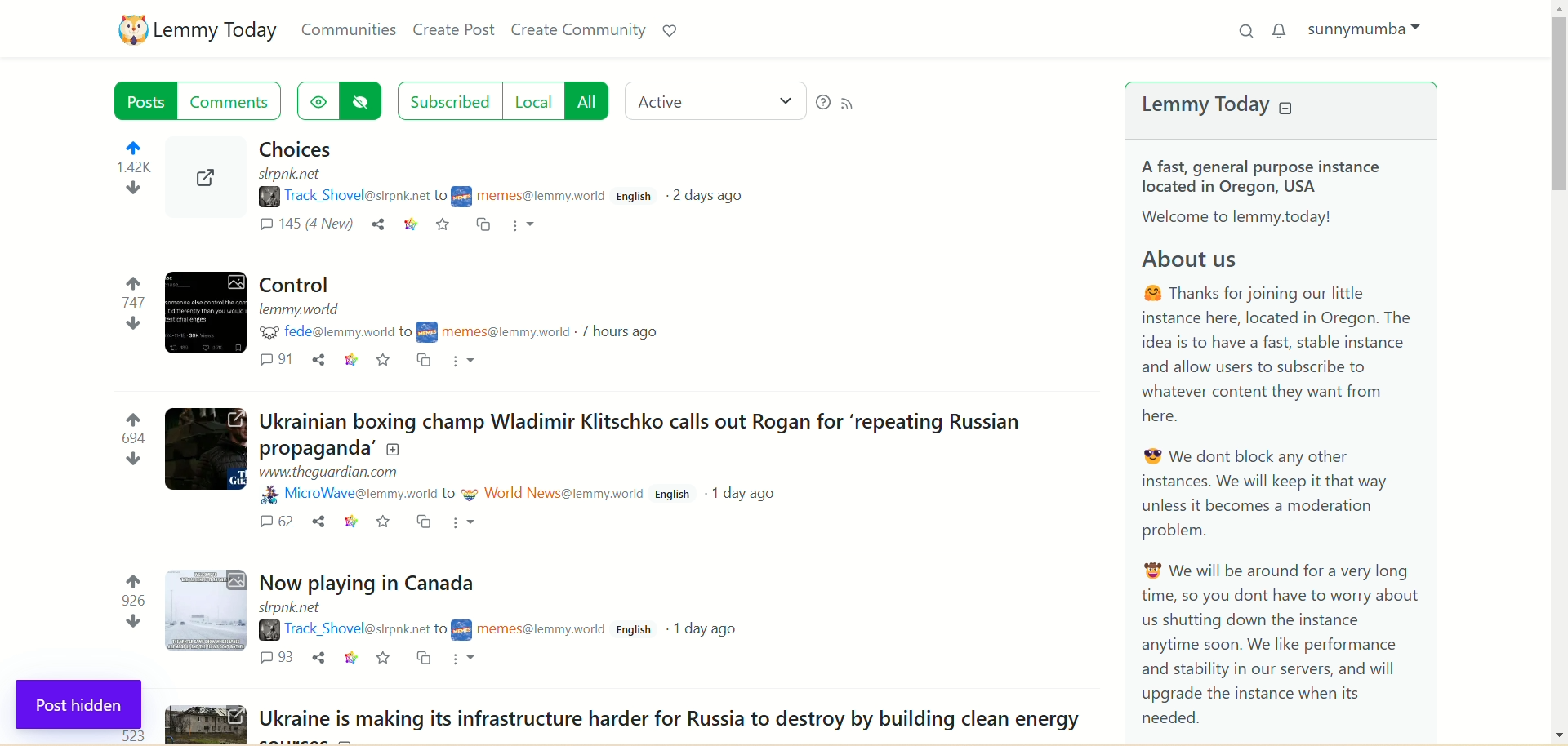 The width and height of the screenshot is (1568, 746). Describe the element at coordinates (384, 522) in the screenshot. I see `favorite` at that location.